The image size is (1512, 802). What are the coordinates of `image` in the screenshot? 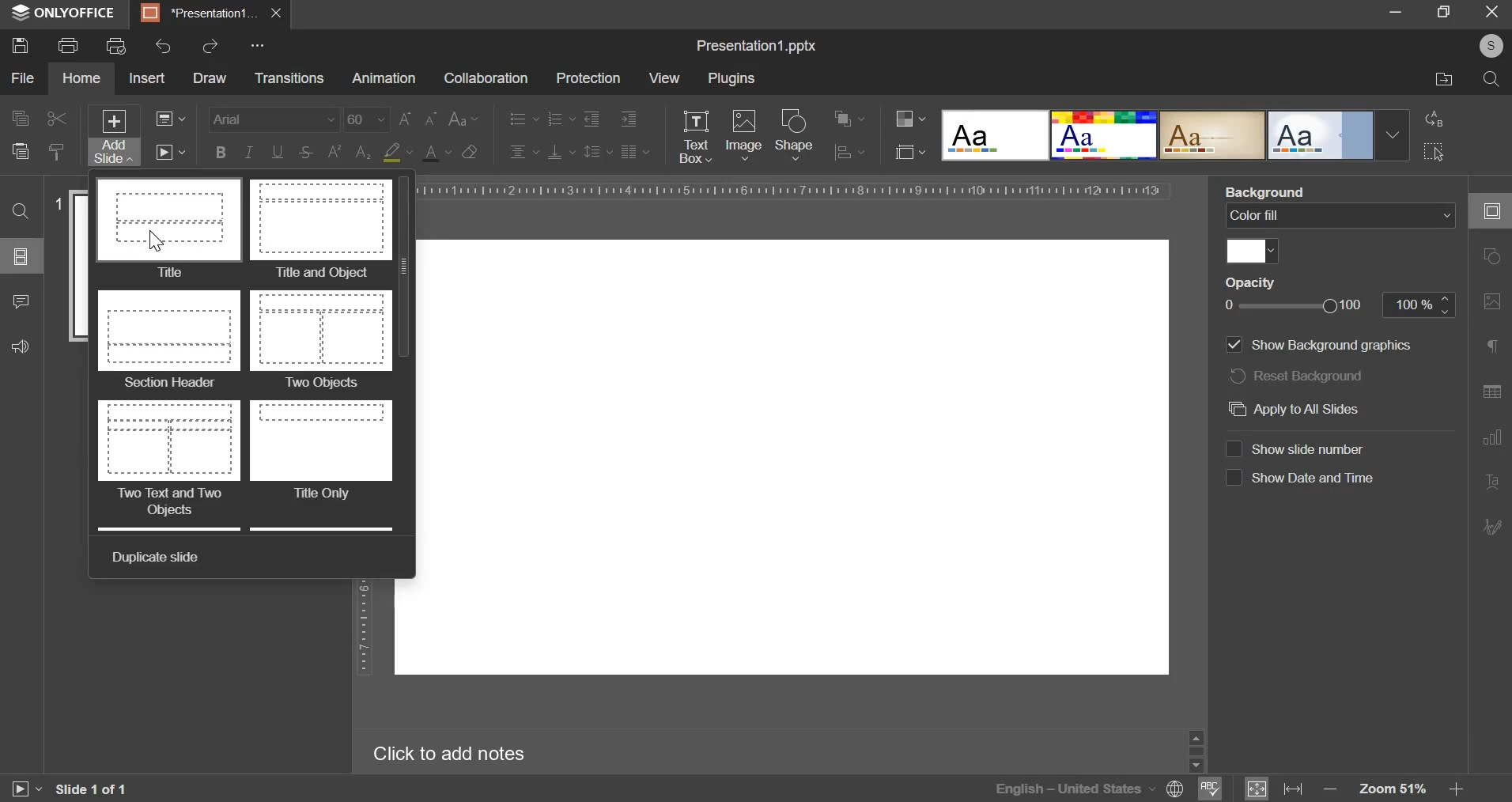 It's located at (744, 133).